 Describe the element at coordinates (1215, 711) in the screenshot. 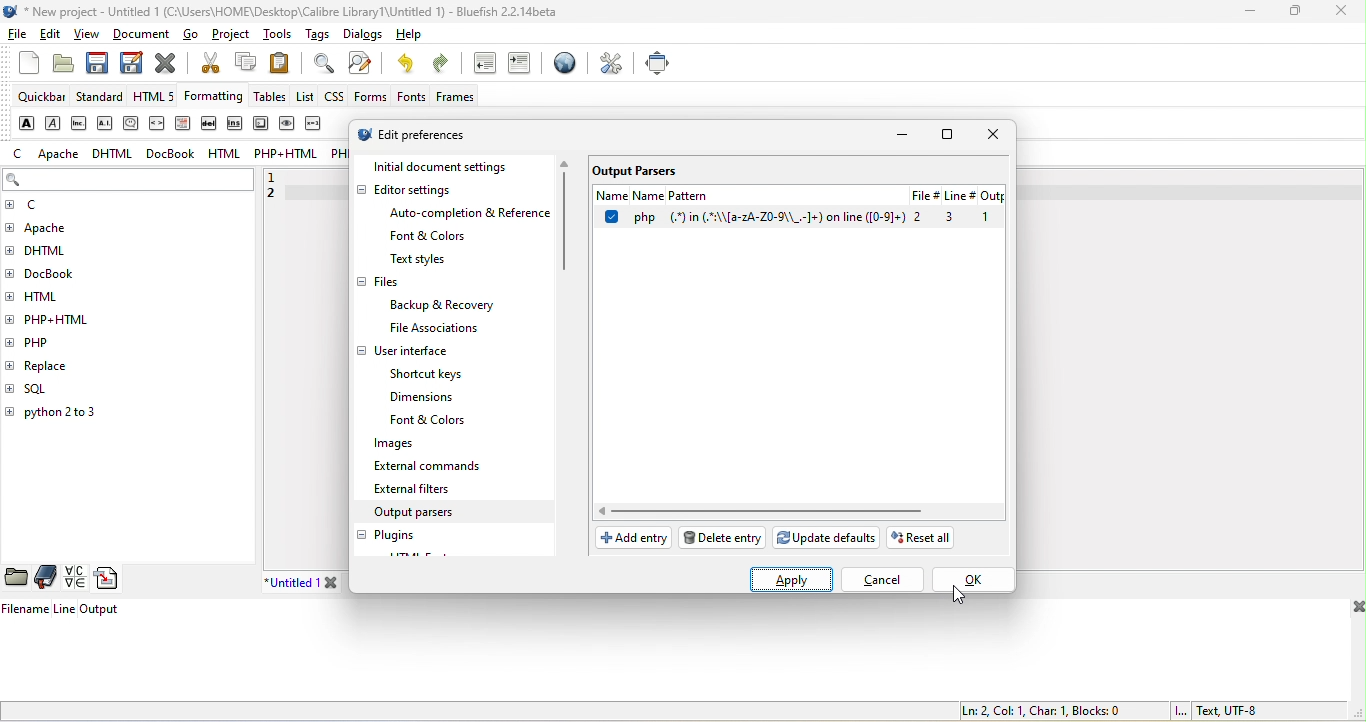

I see `text, utf 8` at that location.